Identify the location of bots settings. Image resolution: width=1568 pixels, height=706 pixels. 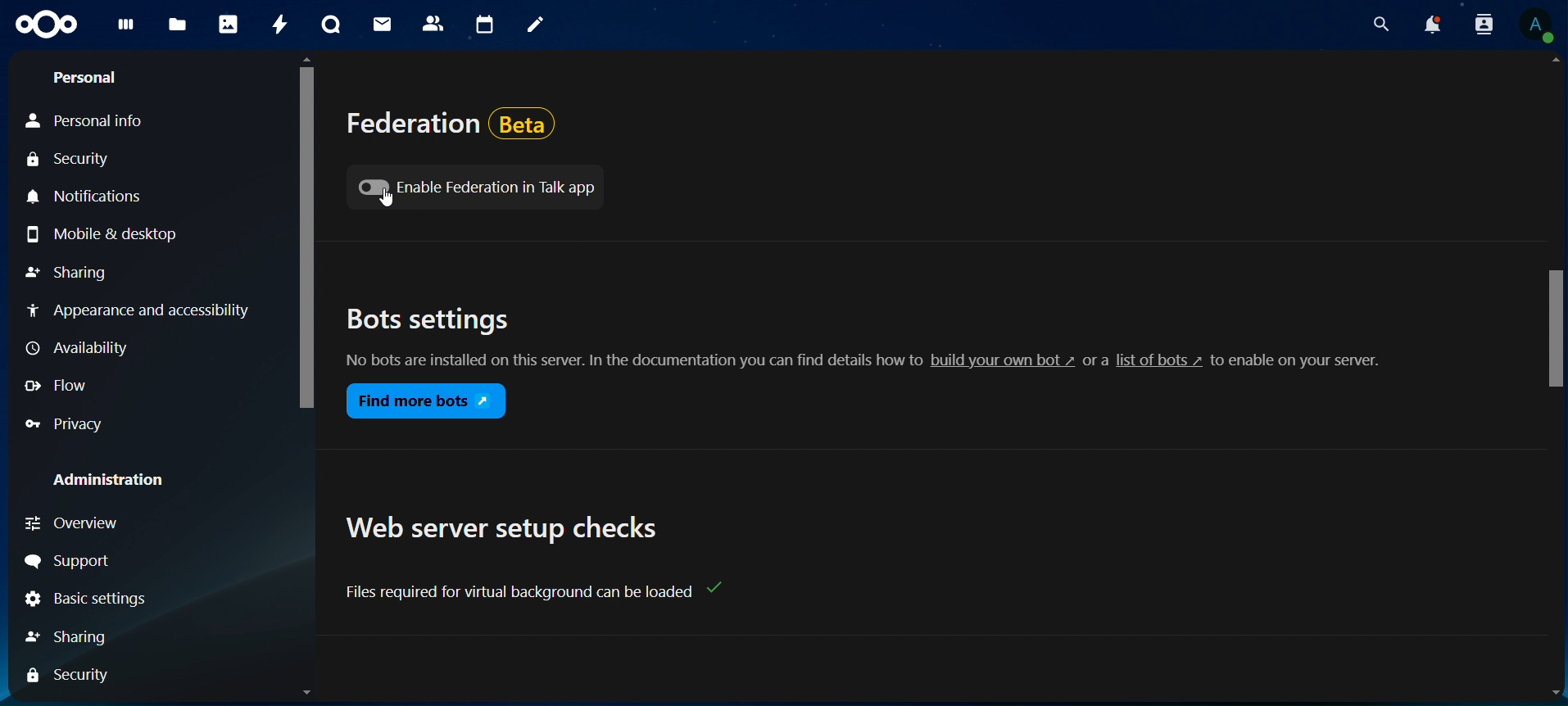
(428, 319).